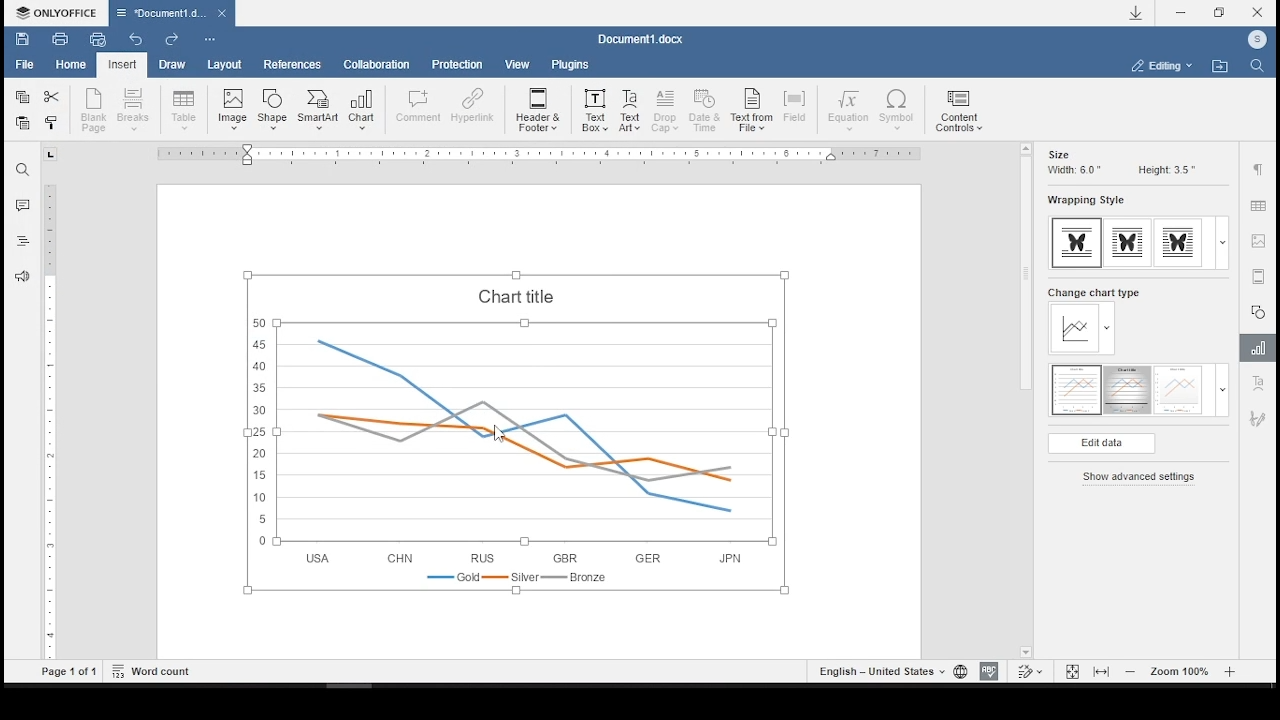 This screenshot has width=1280, height=720. What do you see at coordinates (988, 671) in the screenshot?
I see `spelling check` at bounding box center [988, 671].